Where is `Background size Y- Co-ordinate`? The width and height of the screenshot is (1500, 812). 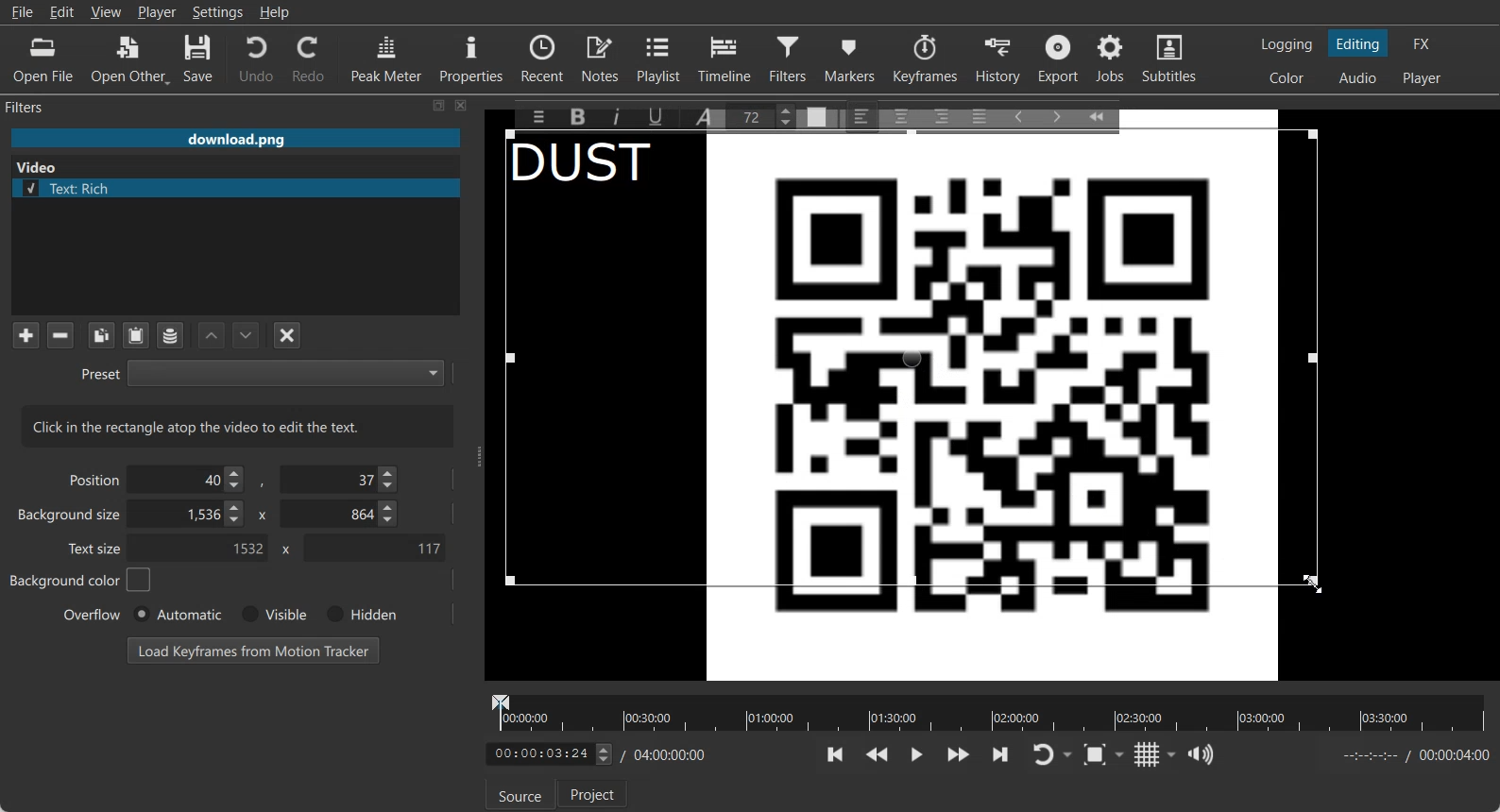 Background size Y- Co-ordinate is located at coordinates (341, 516).